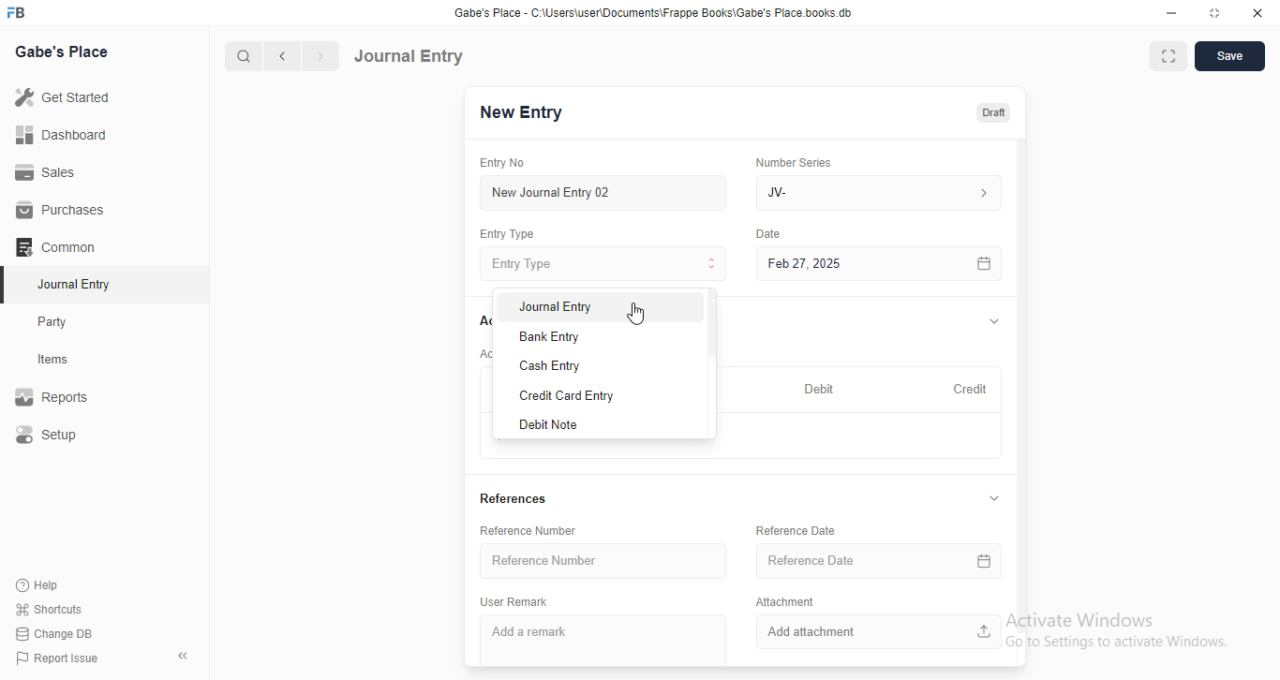 This screenshot has height=680, width=1280. What do you see at coordinates (55, 360) in the screenshot?
I see `Items` at bounding box center [55, 360].